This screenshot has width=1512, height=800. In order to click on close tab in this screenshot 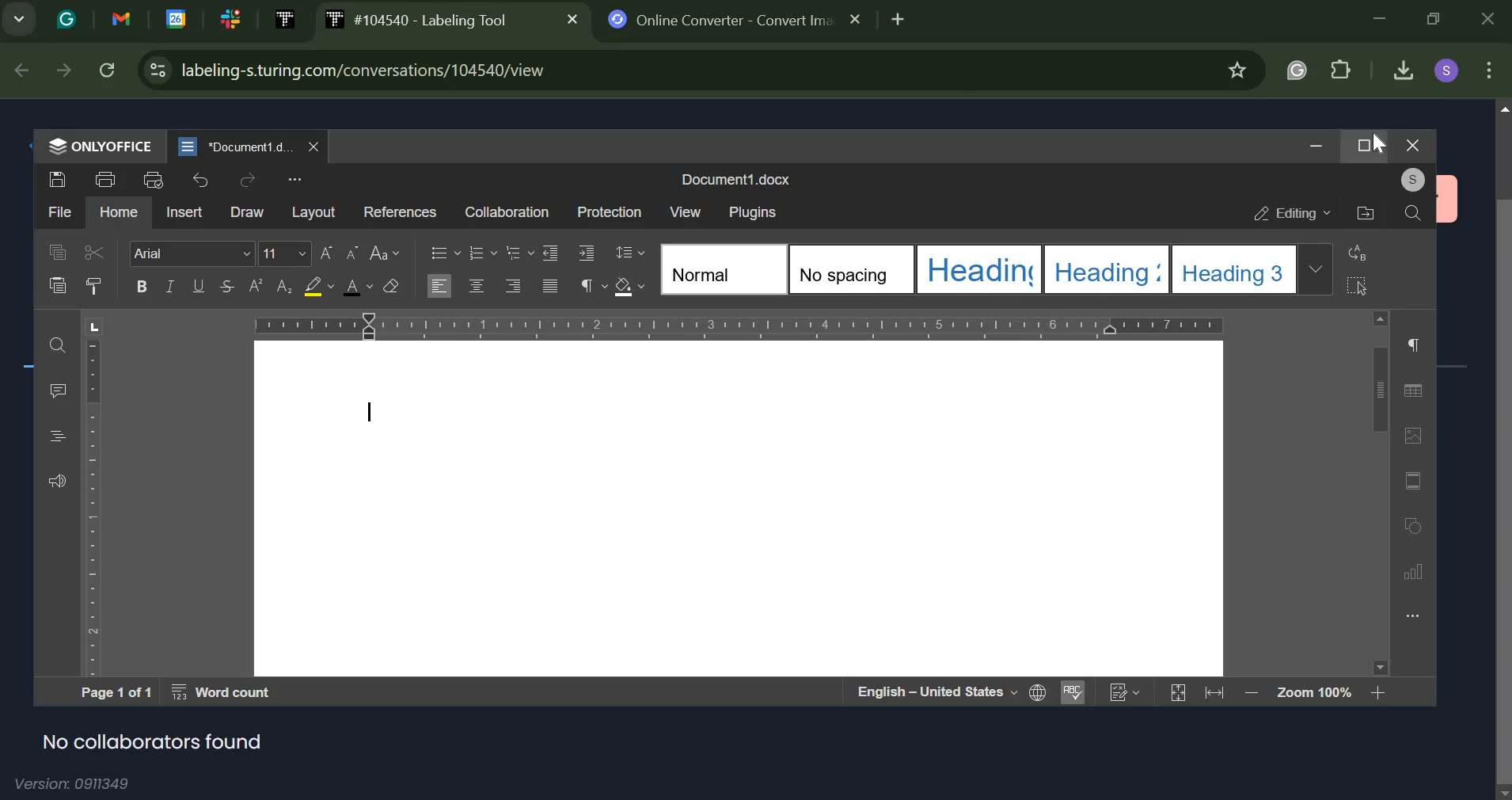, I will do `click(572, 19)`.